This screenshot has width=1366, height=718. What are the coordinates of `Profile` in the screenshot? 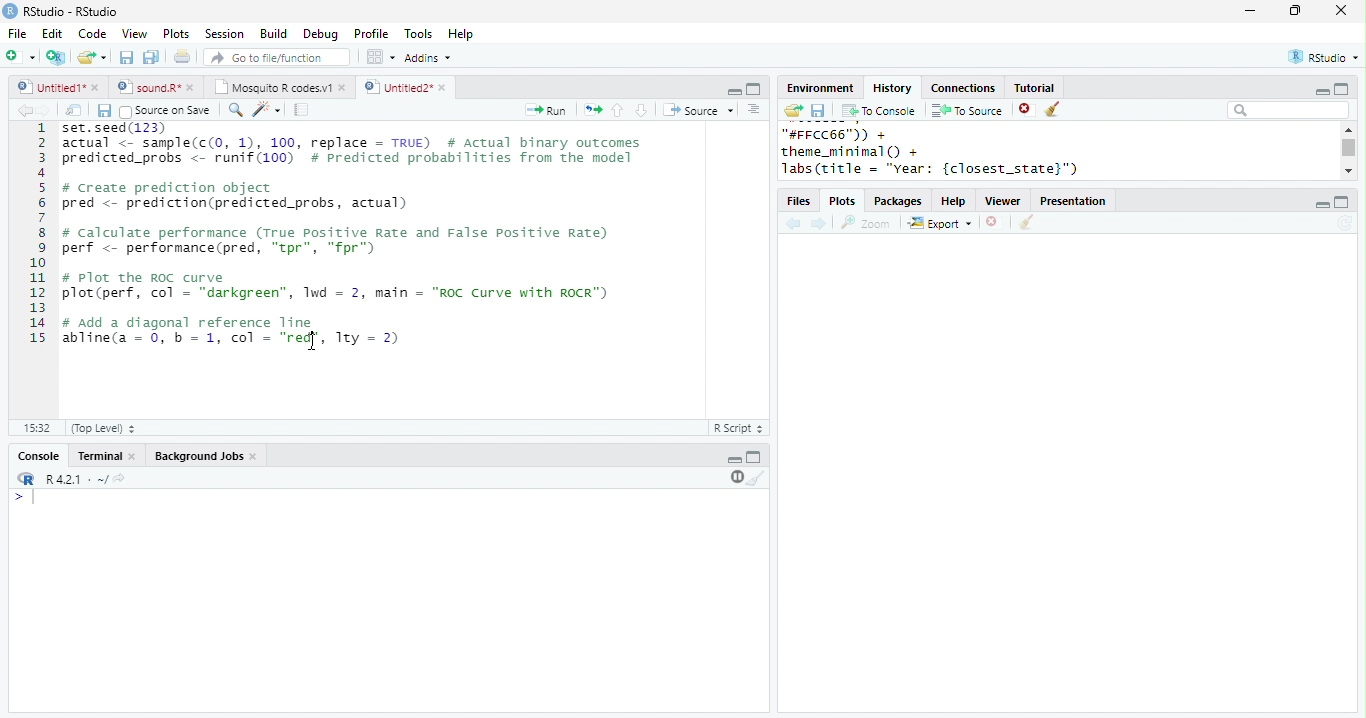 It's located at (371, 33).